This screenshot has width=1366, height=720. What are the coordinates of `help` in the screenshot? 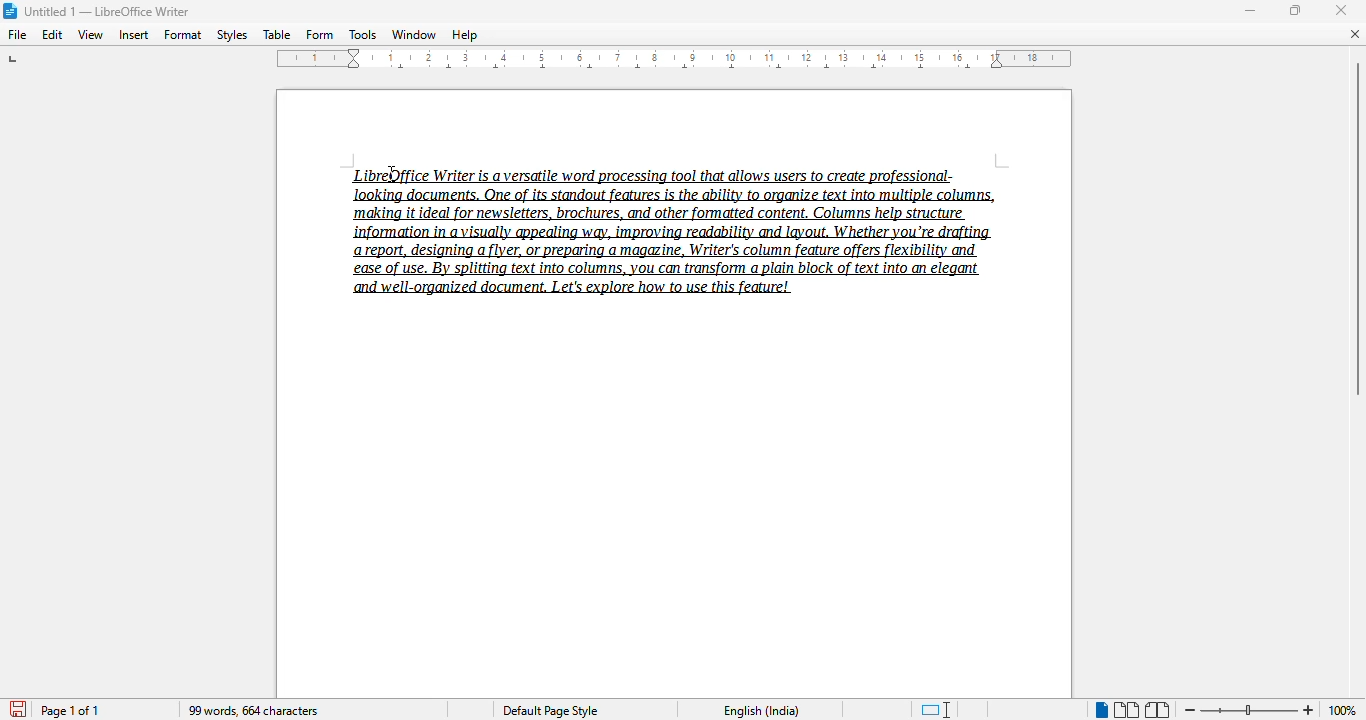 It's located at (465, 35).